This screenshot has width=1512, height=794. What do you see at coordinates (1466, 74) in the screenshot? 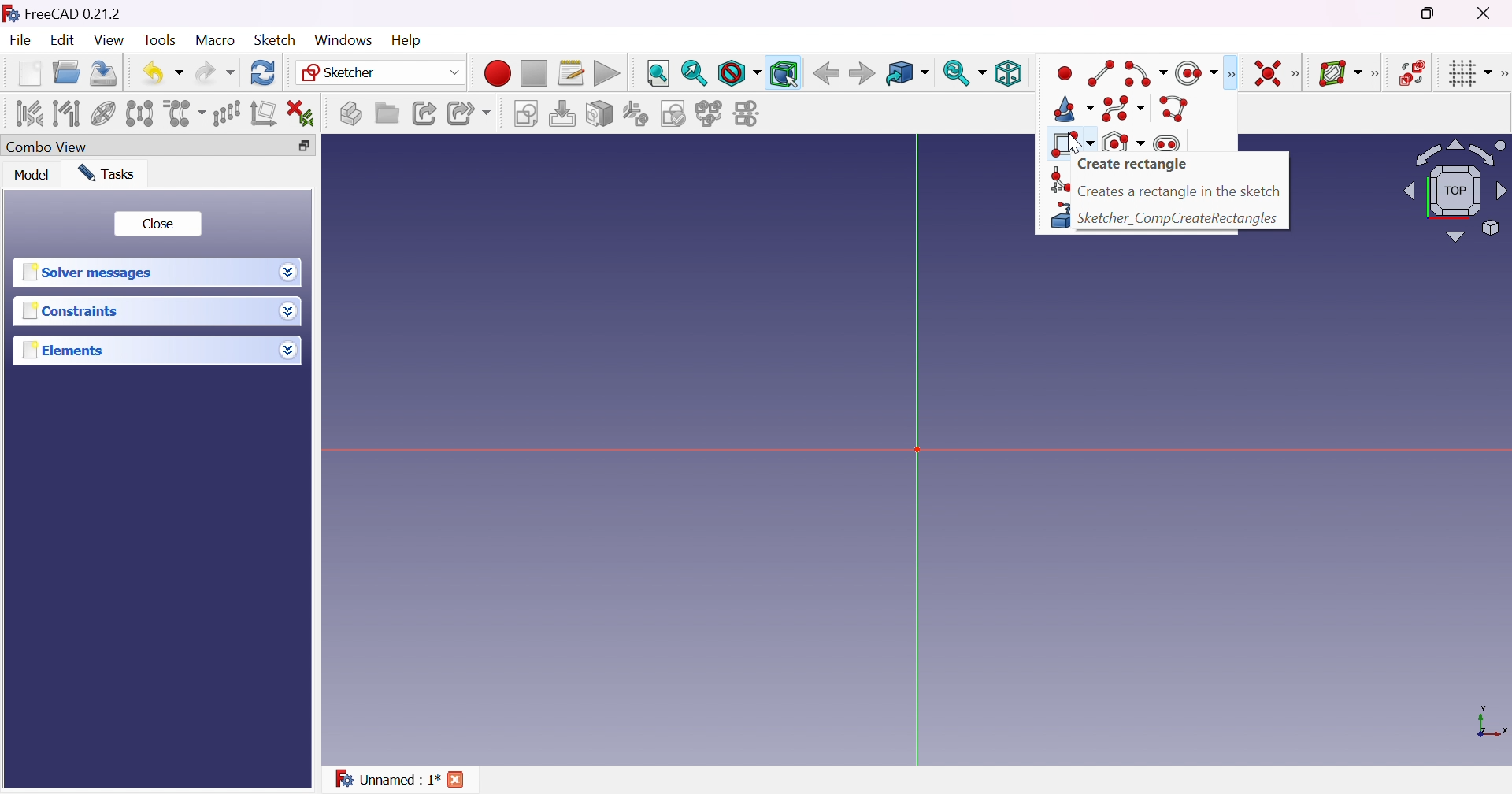
I see `Toggle grid` at bounding box center [1466, 74].